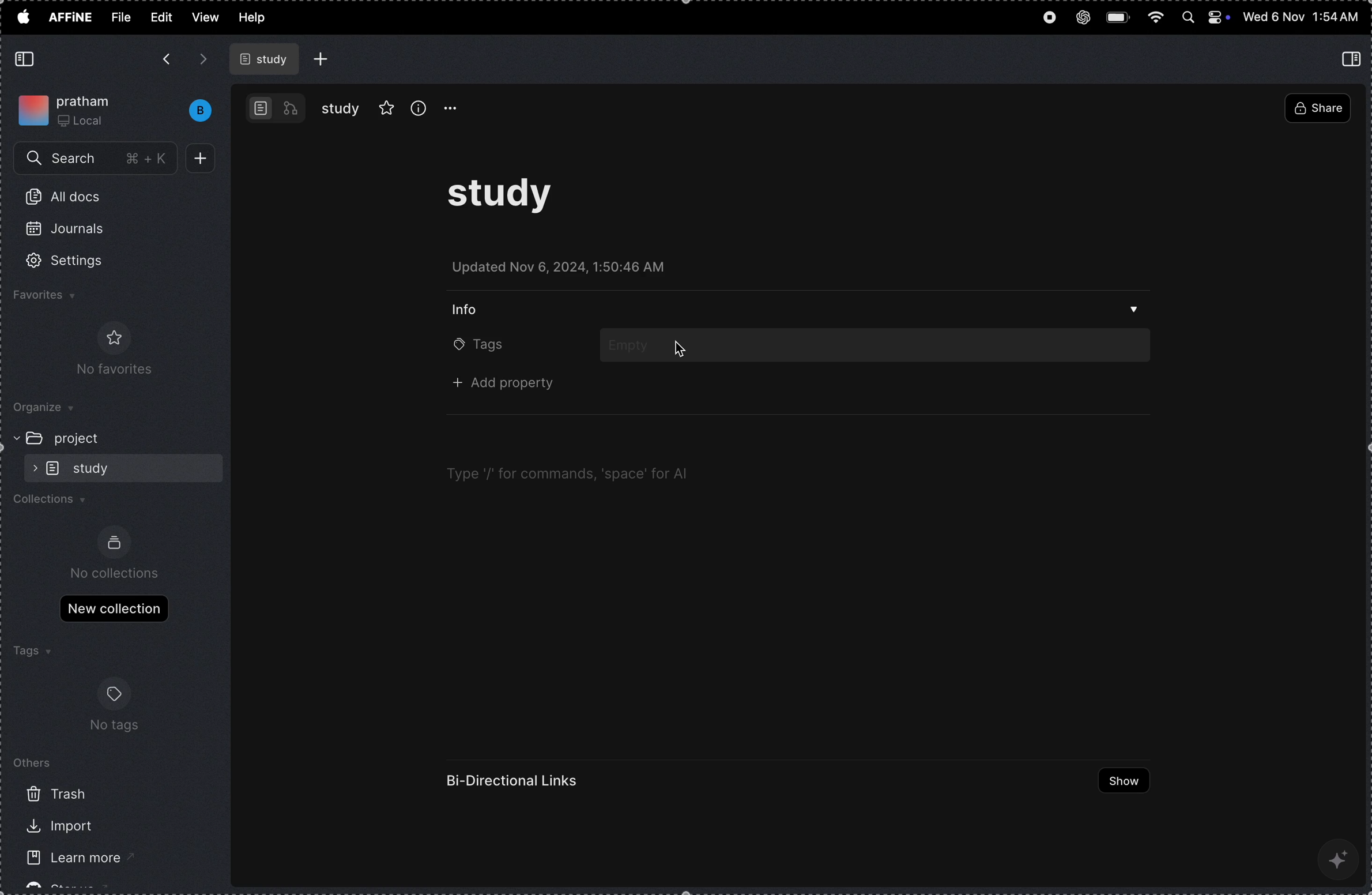 This screenshot has height=895, width=1372. Describe the element at coordinates (160, 16) in the screenshot. I see `edit` at that location.